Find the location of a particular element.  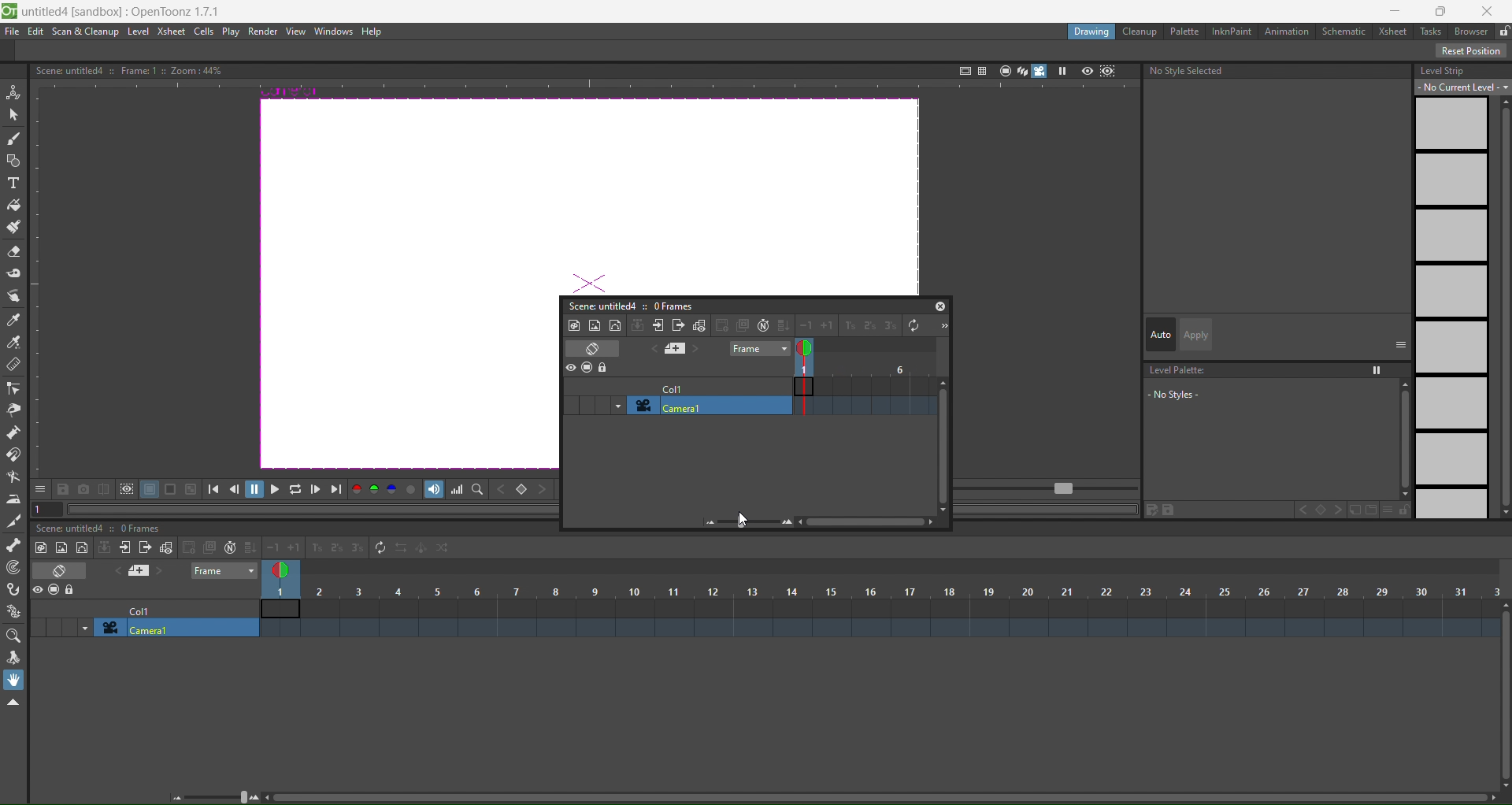

col1 is located at coordinates (672, 387).